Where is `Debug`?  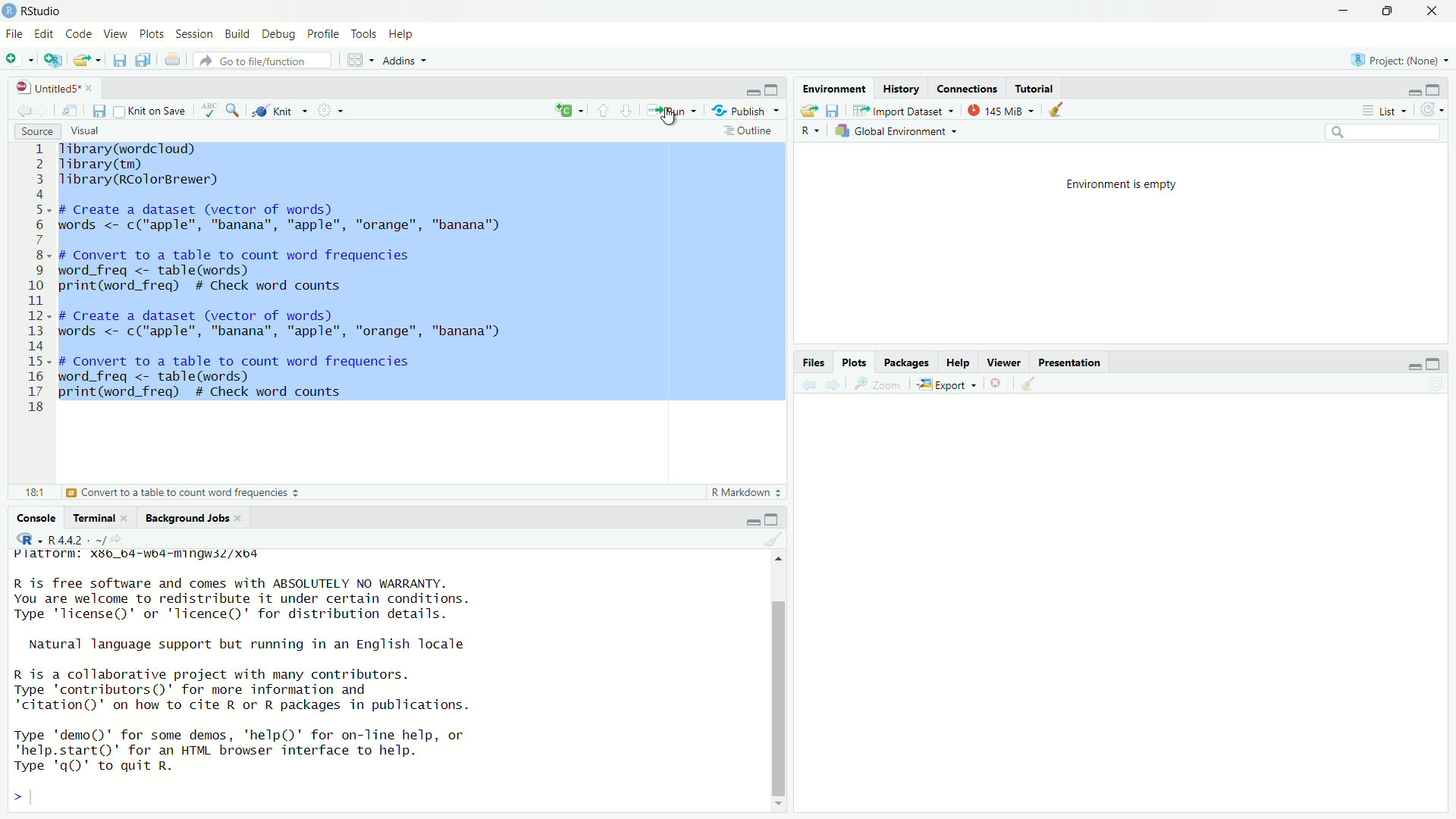
Debug is located at coordinates (278, 36).